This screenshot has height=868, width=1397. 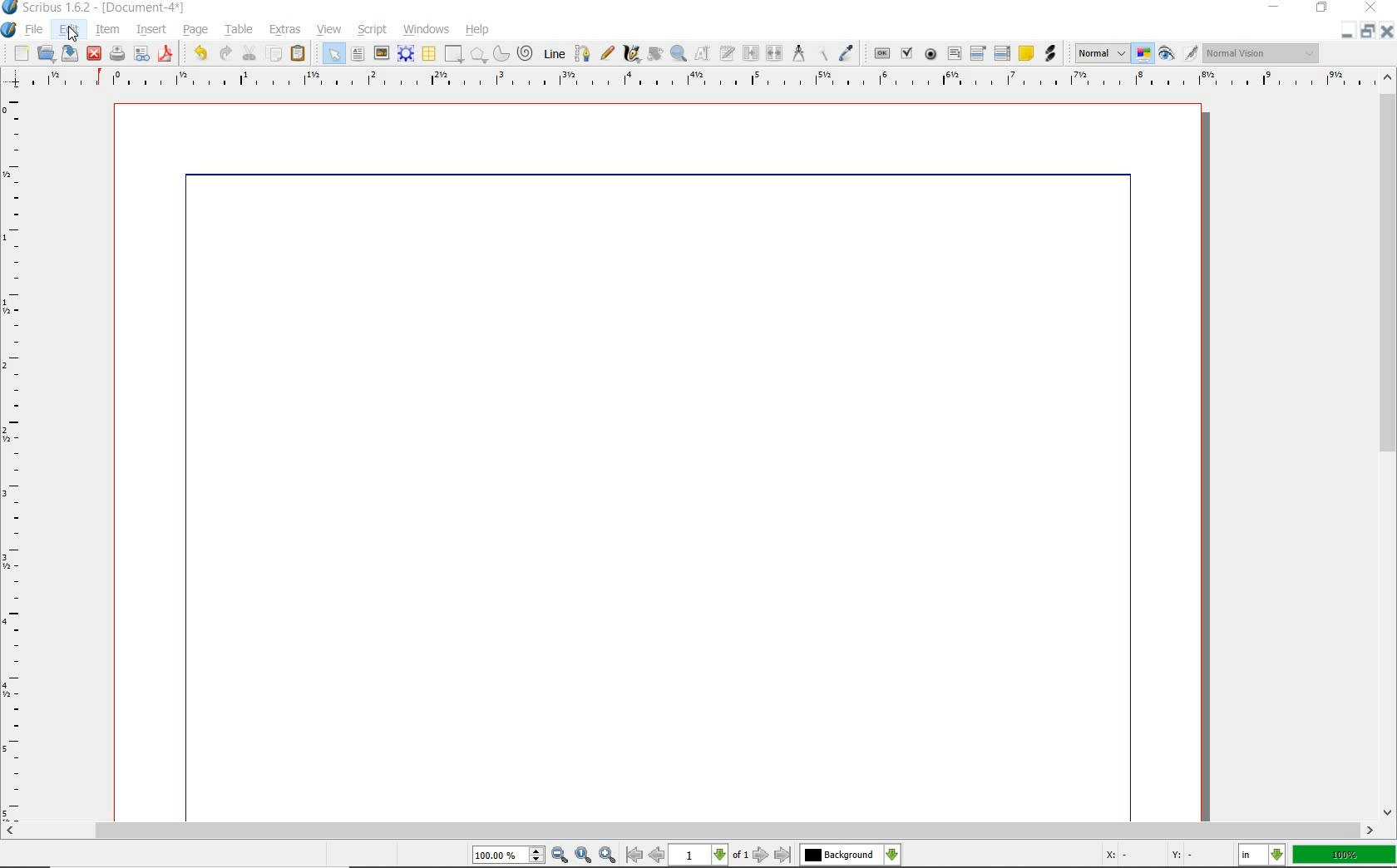 I want to click on in, so click(x=1262, y=856).